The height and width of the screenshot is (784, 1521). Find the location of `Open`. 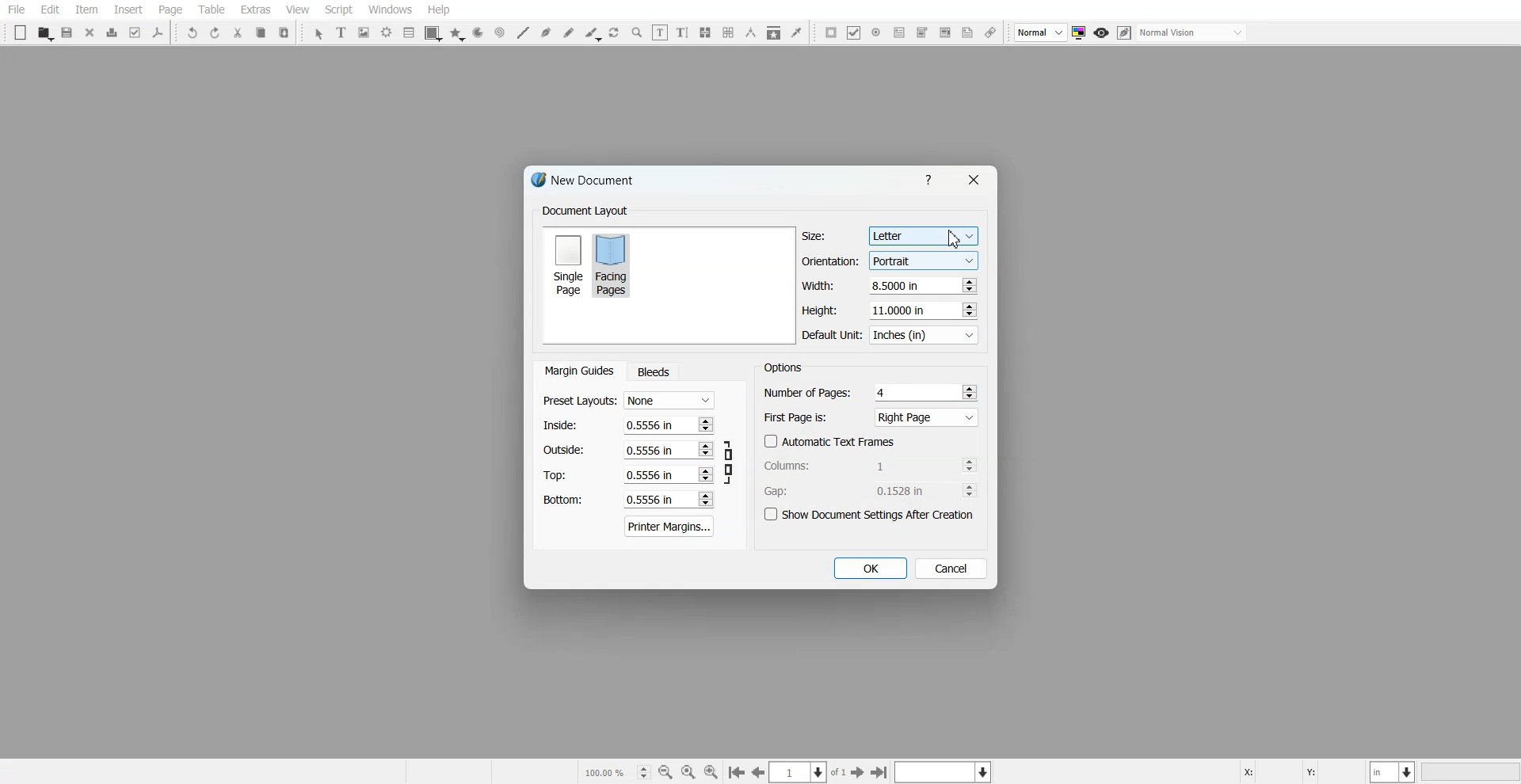

Open is located at coordinates (44, 33).